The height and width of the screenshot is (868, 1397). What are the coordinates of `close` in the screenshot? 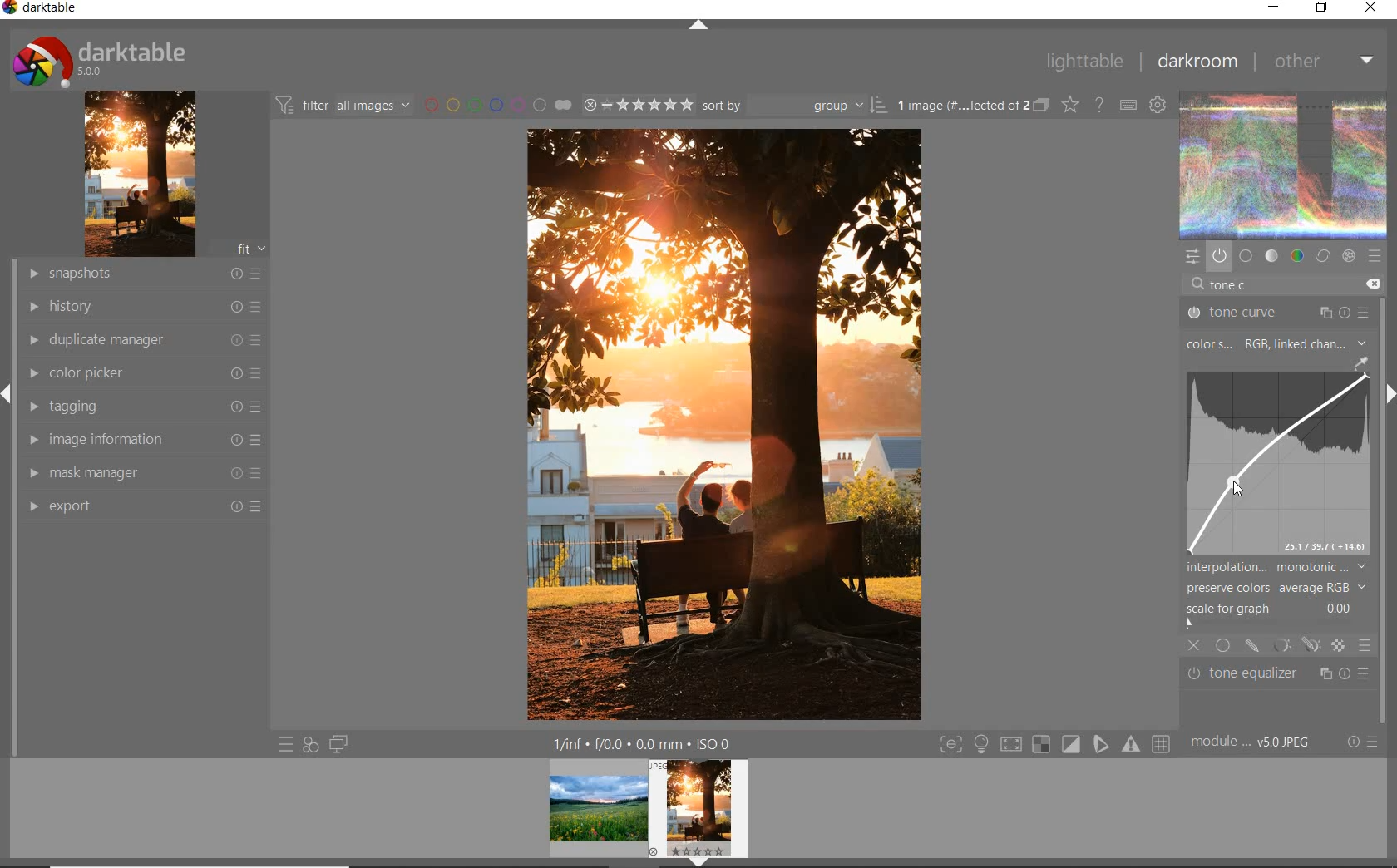 It's located at (1371, 8).